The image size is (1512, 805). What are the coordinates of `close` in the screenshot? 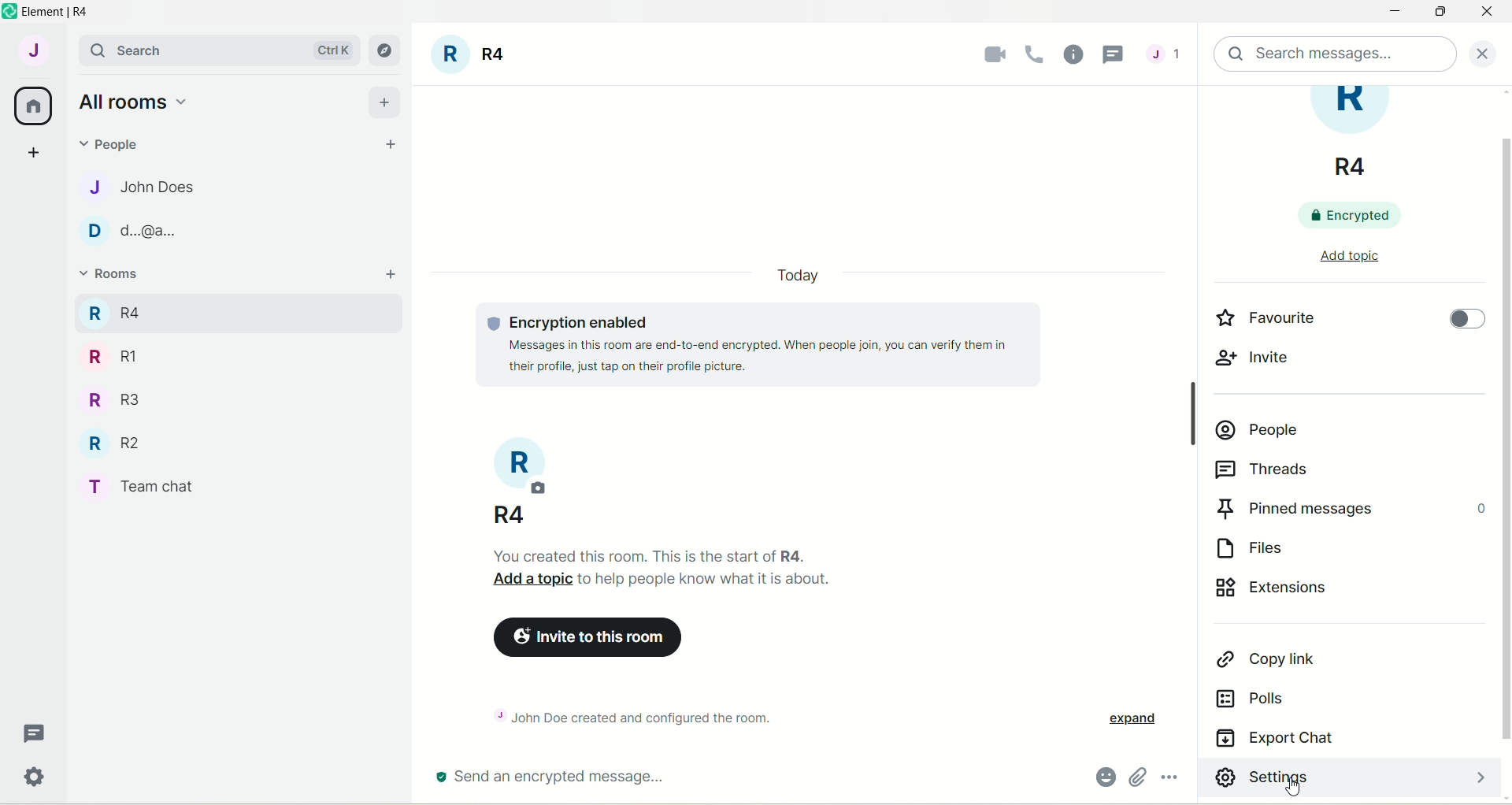 It's located at (1488, 52).